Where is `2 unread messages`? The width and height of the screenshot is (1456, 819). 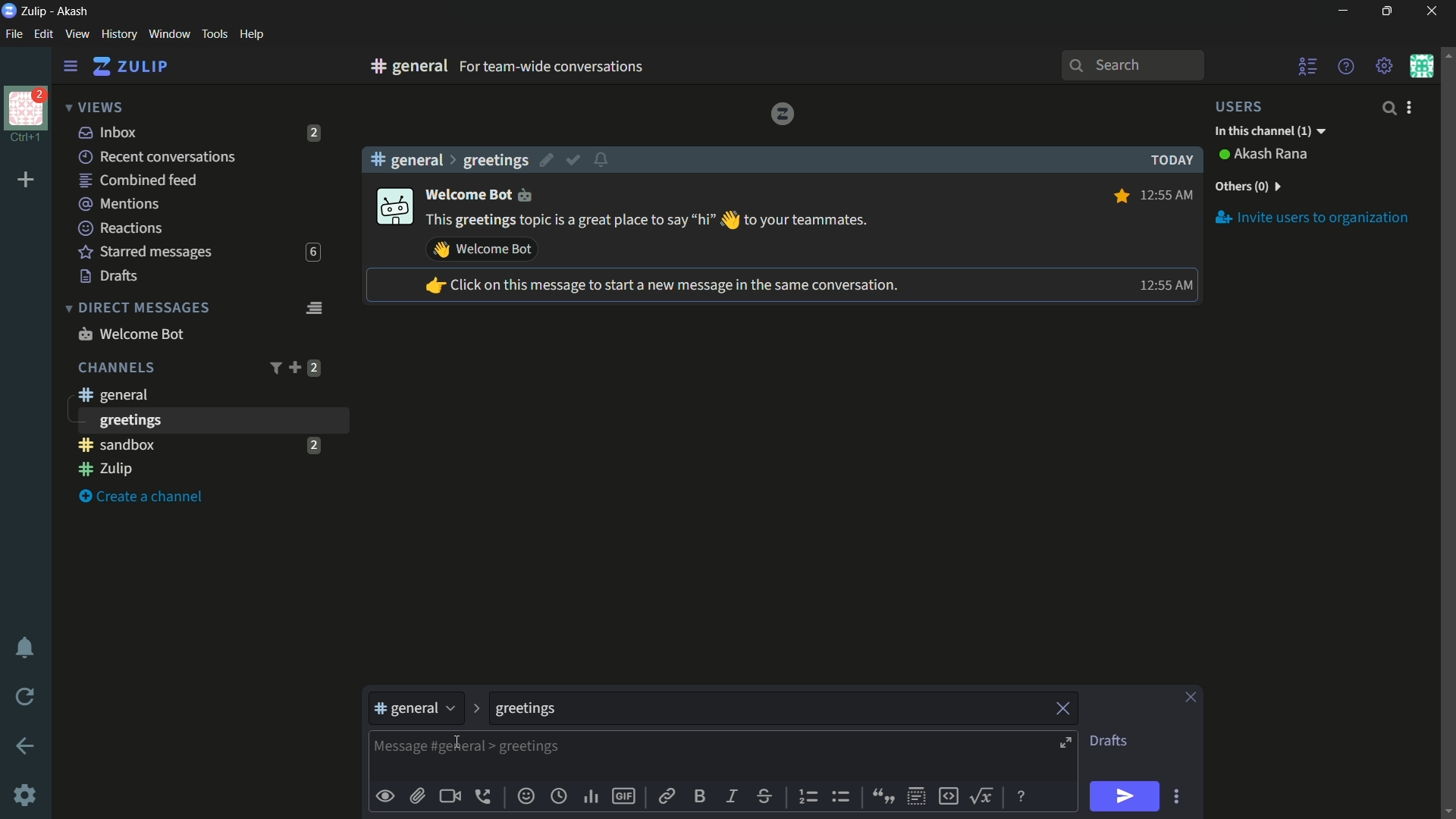 2 unread messages is located at coordinates (313, 444).